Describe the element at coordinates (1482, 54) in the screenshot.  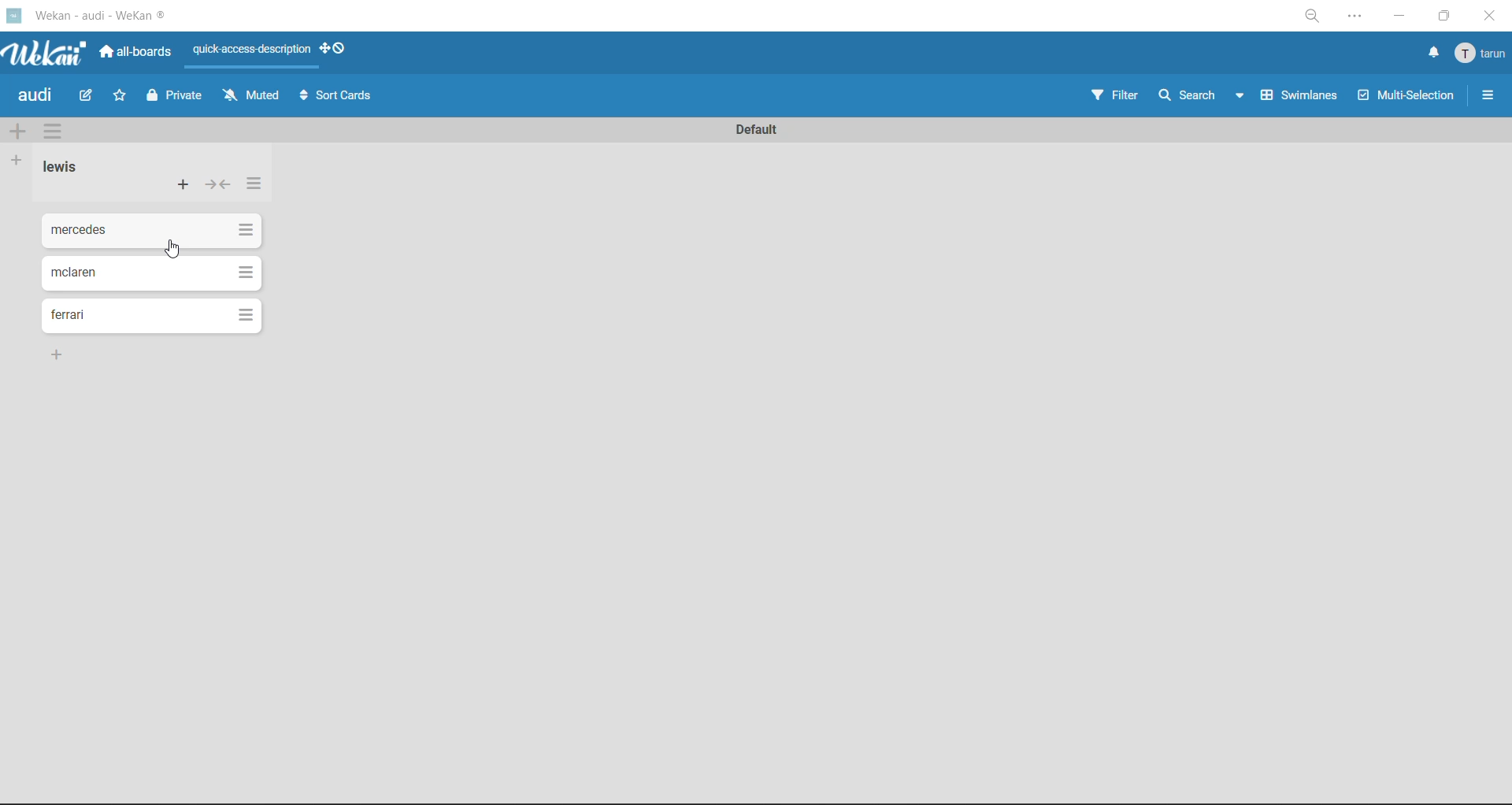
I see `menu` at that location.